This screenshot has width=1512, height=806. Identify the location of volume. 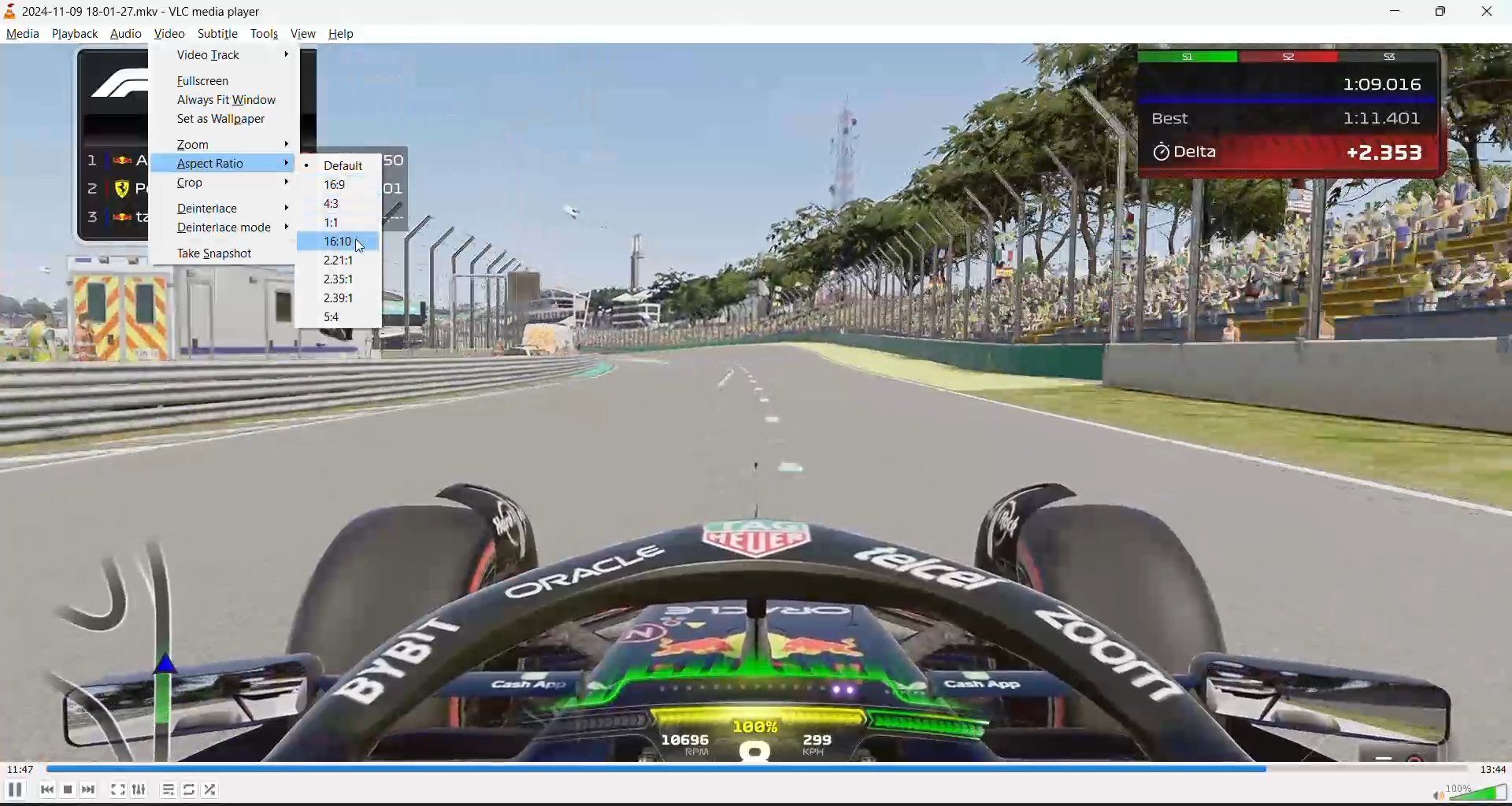
(1461, 792).